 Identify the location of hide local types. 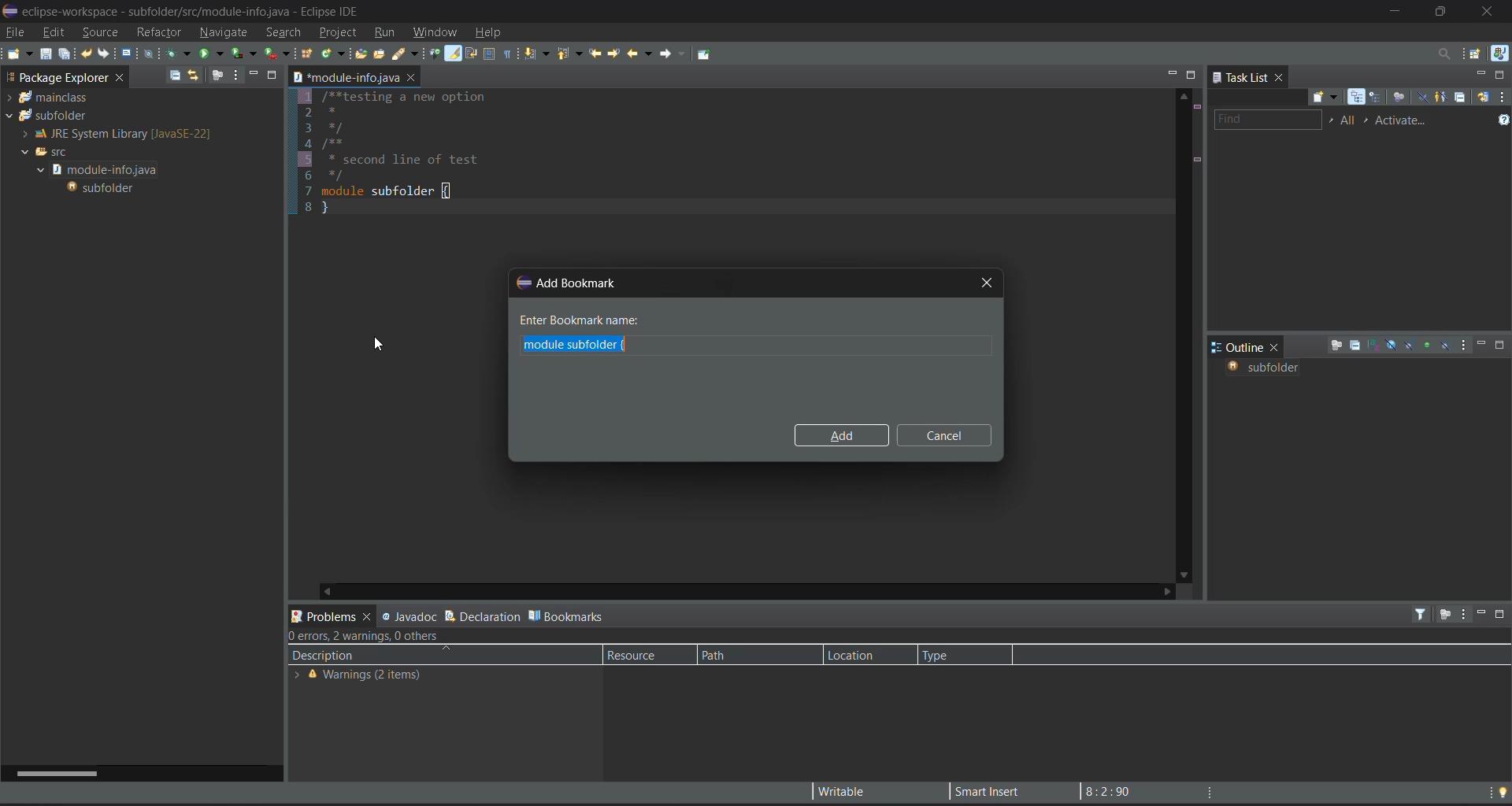
(1445, 346).